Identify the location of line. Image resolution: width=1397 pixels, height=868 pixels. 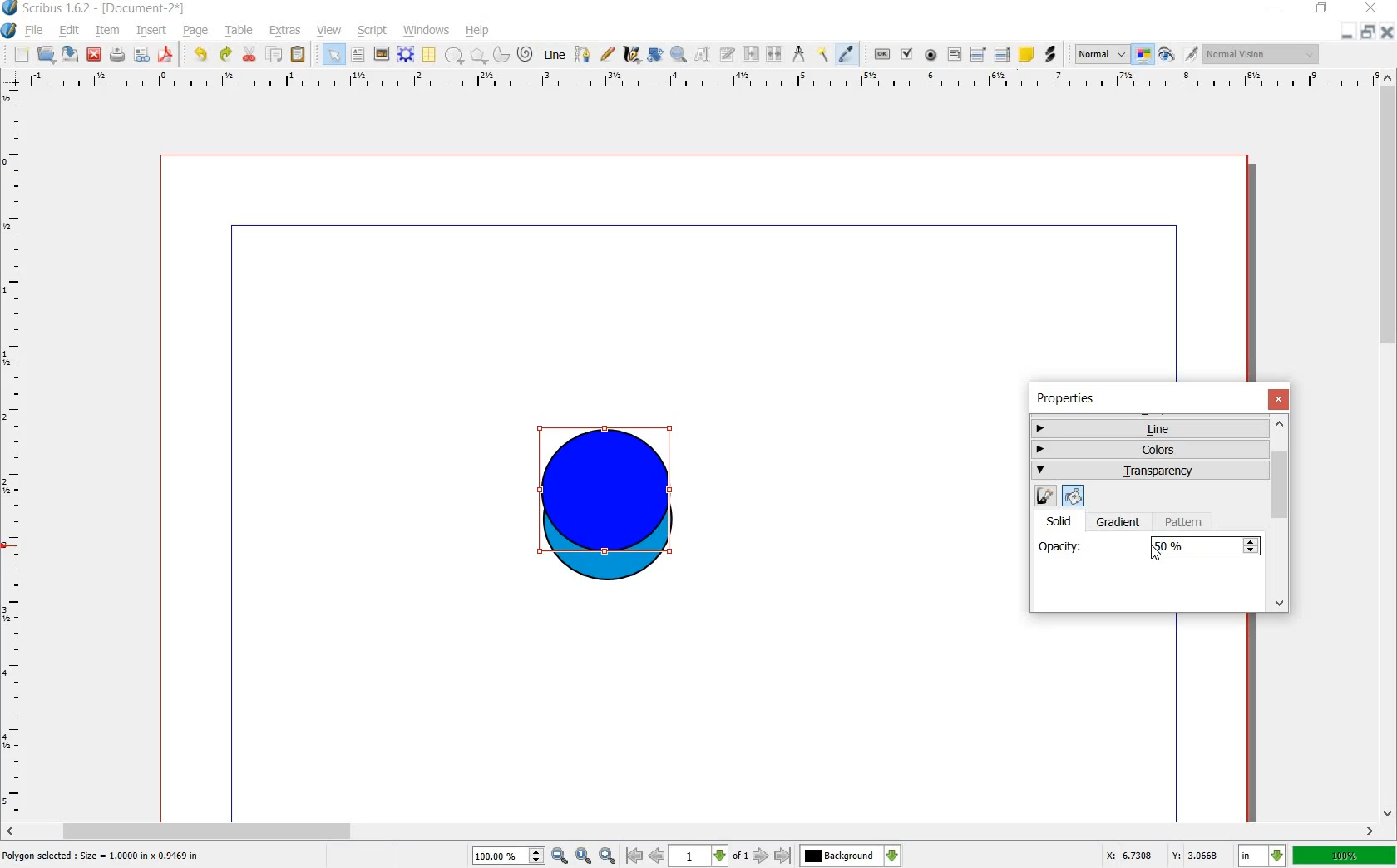
(553, 56).